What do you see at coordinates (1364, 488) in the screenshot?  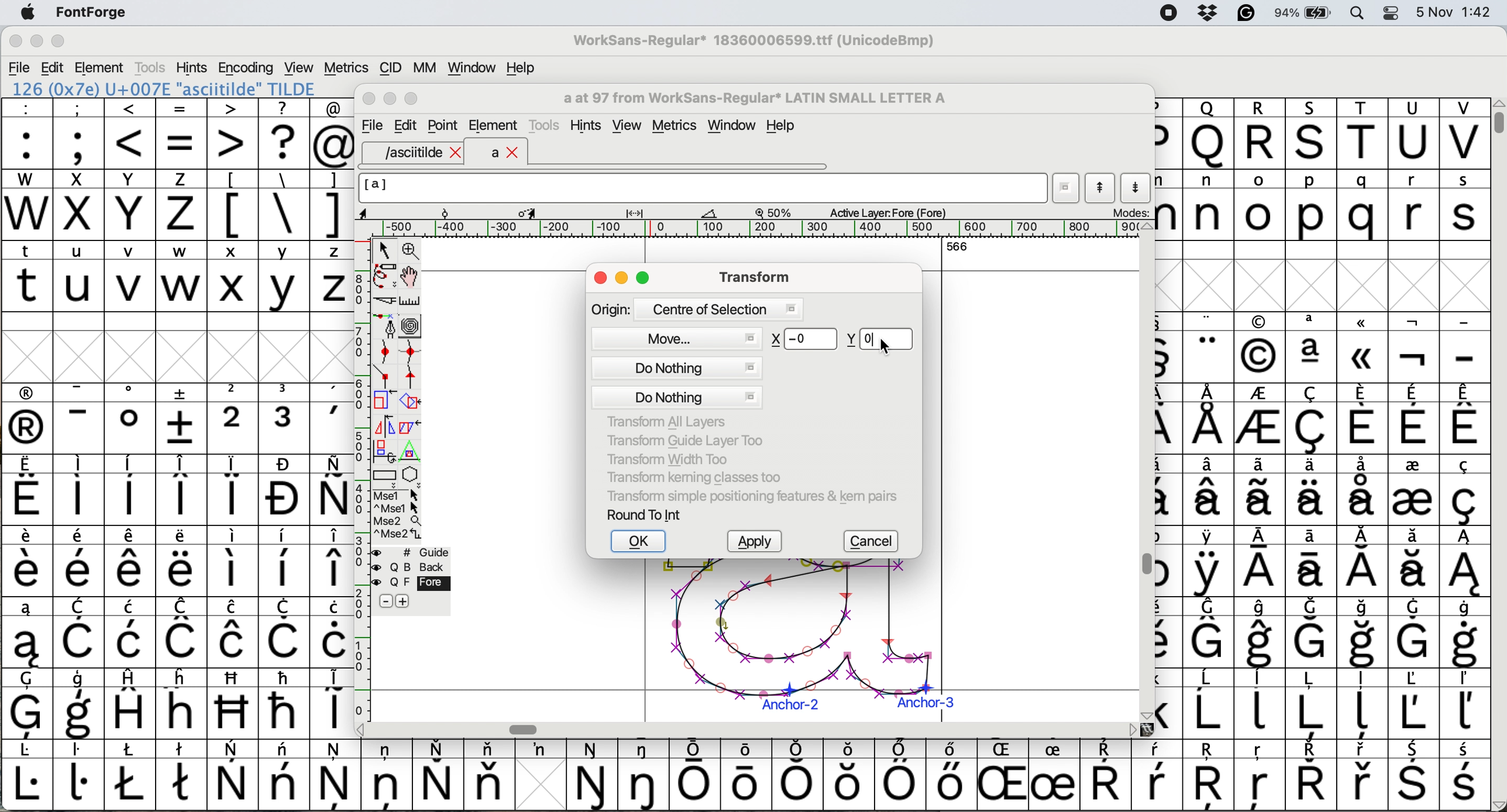 I see `symbol` at bounding box center [1364, 488].